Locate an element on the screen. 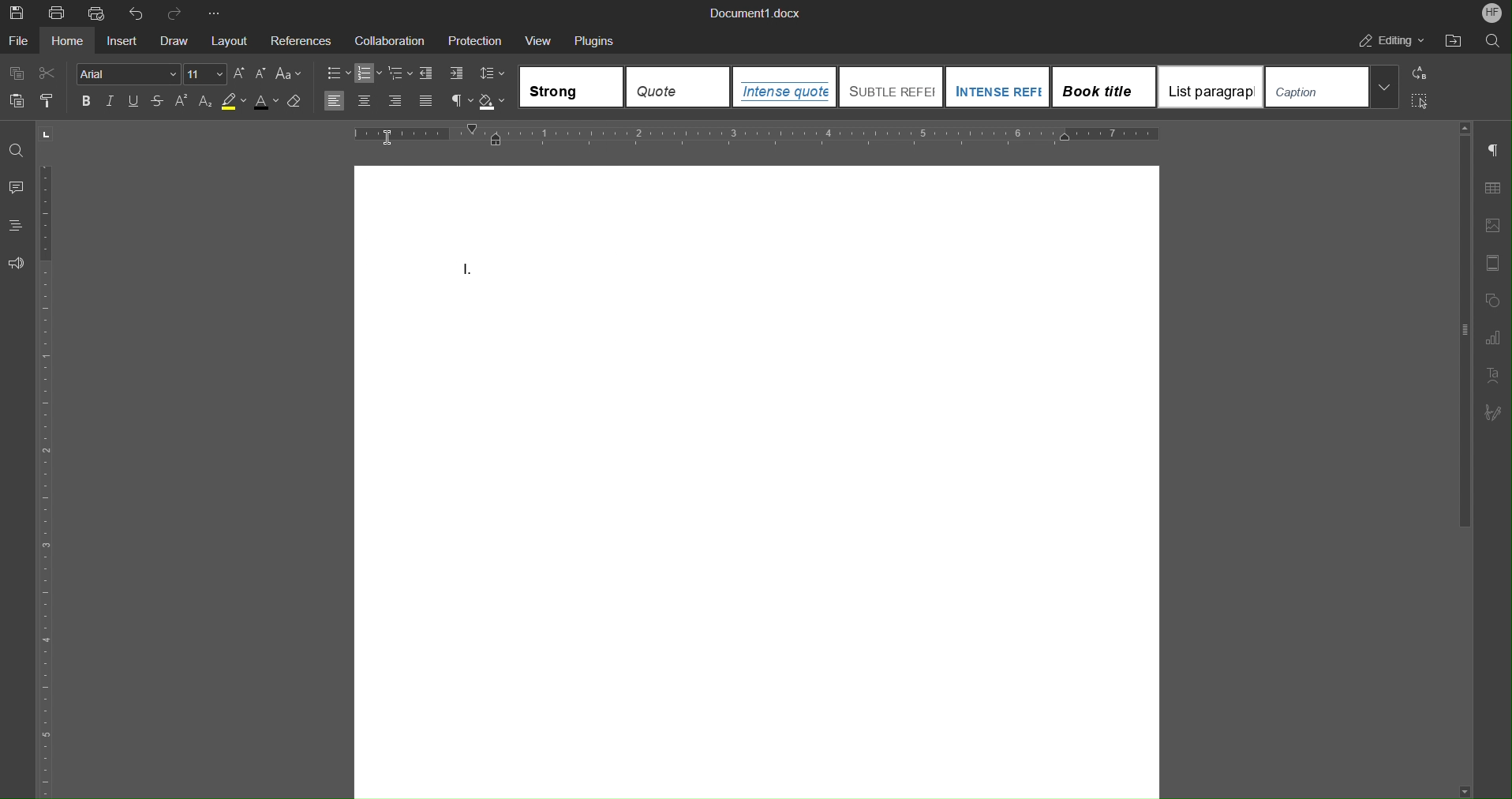  Italics is located at coordinates (110, 101).